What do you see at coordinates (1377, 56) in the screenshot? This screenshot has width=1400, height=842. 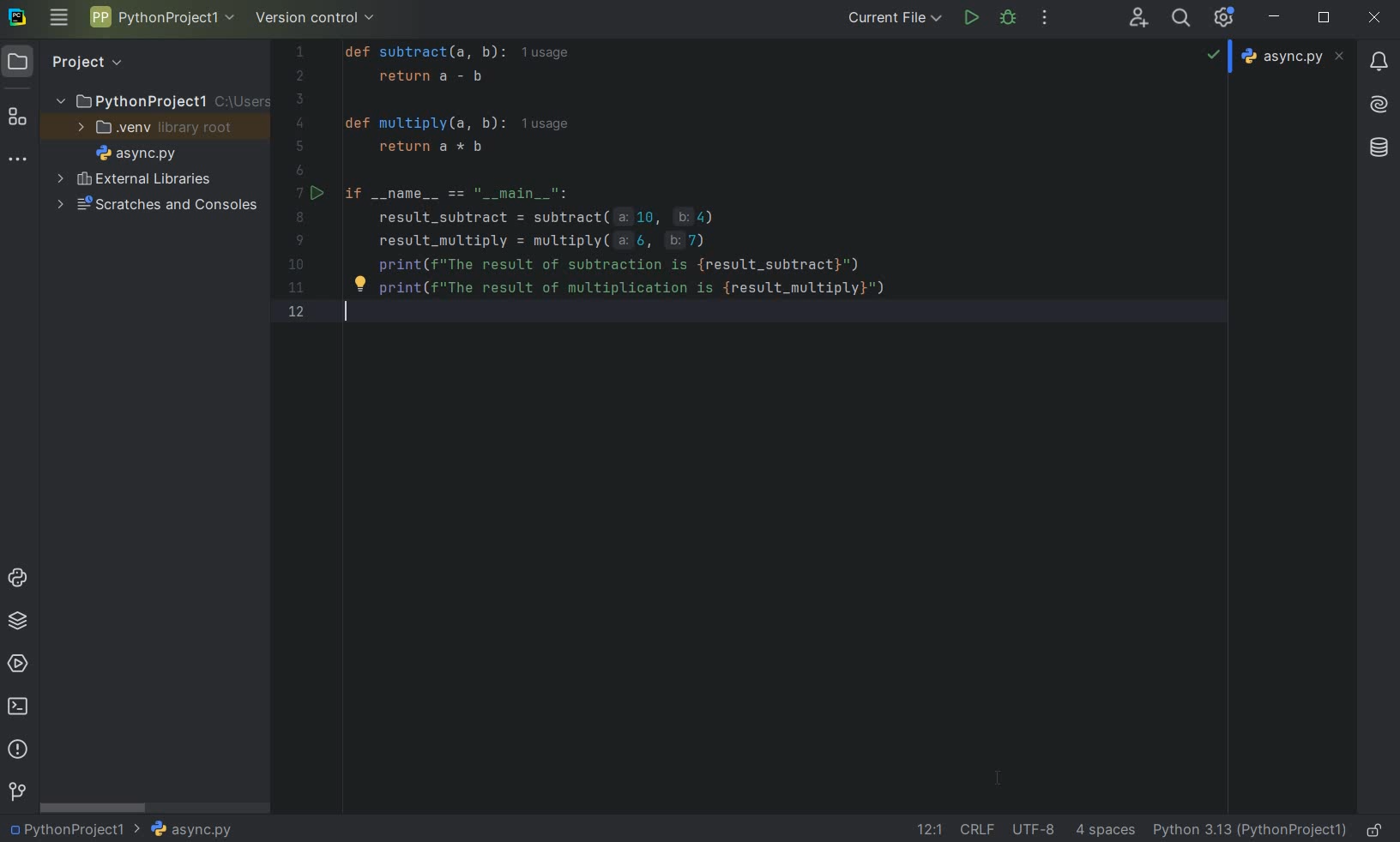 I see `Notifications` at bounding box center [1377, 56].